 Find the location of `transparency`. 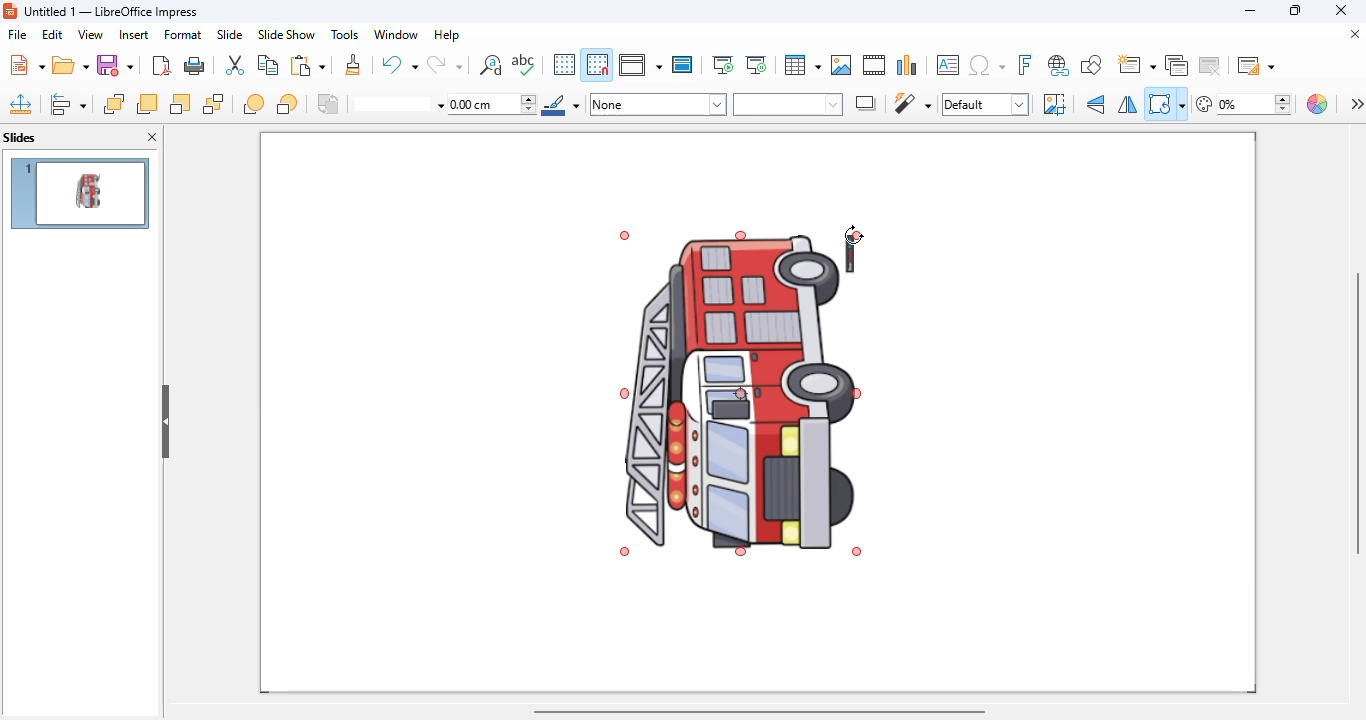

transparency is located at coordinates (1244, 104).